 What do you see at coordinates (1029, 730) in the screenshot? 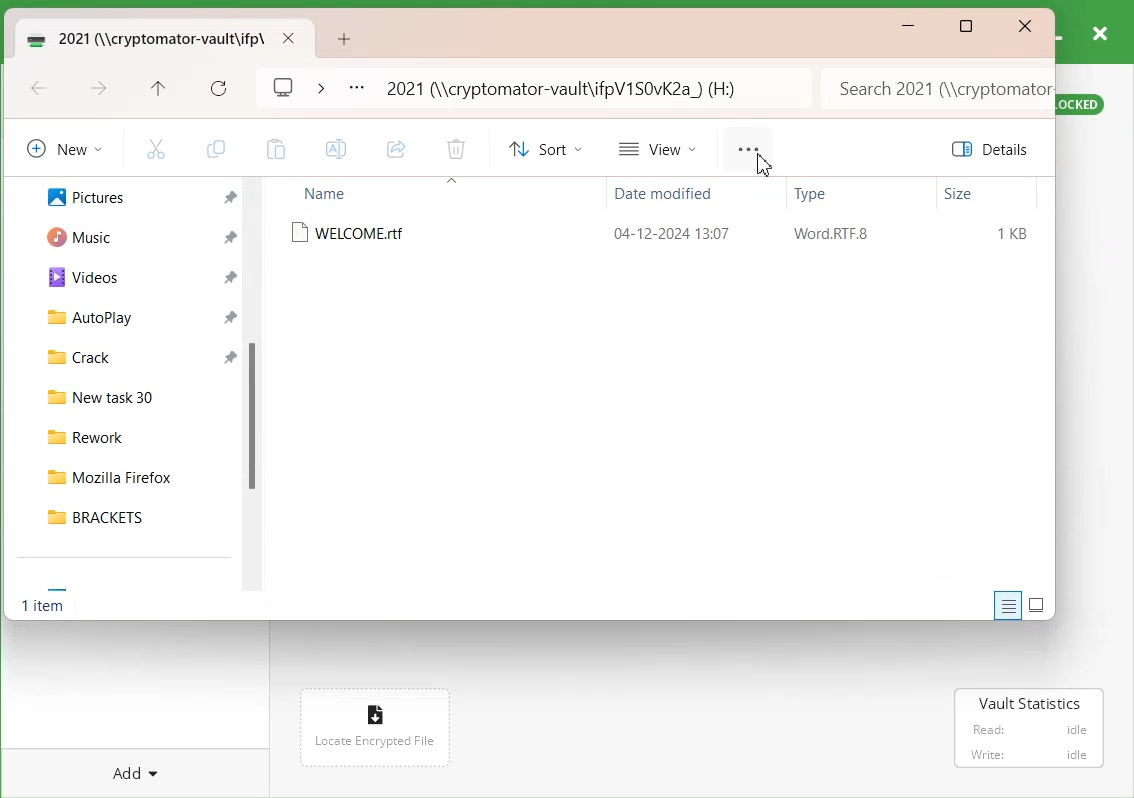
I see `read : Idle` at bounding box center [1029, 730].